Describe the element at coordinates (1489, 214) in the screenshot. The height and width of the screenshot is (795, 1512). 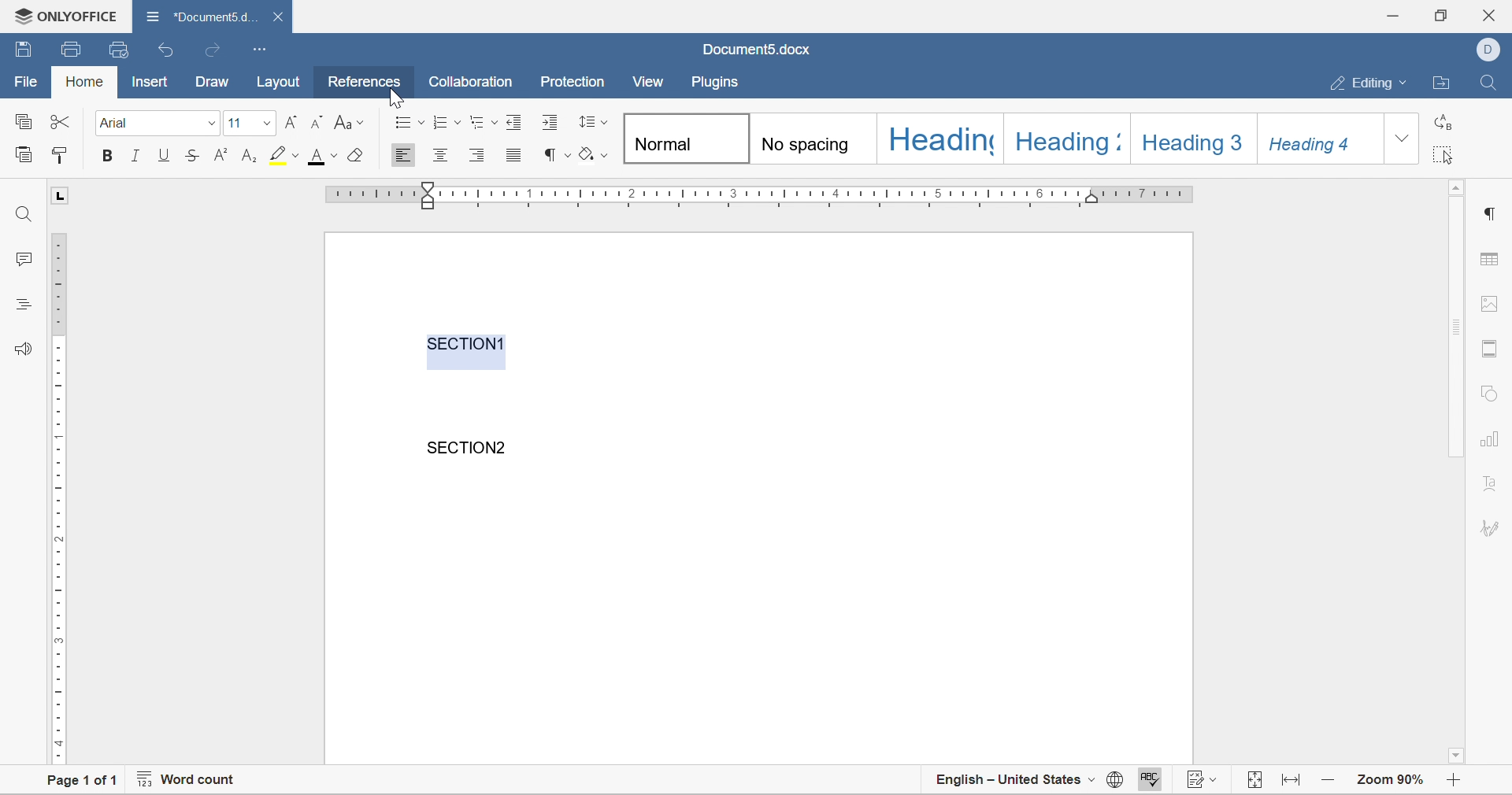
I see `` at that location.